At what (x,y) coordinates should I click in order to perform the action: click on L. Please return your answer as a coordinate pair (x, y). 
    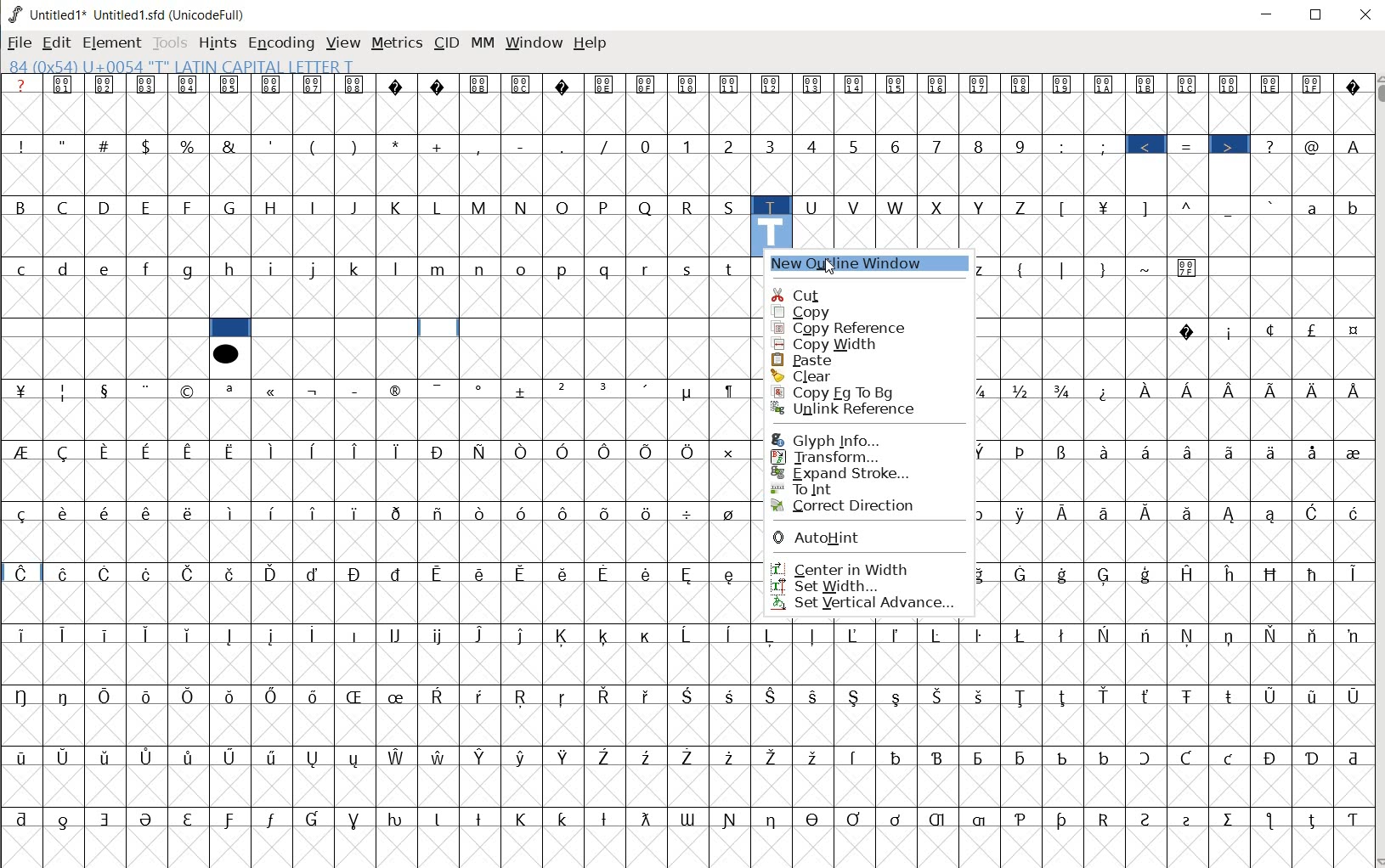
    Looking at the image, I should click on (440, 206).